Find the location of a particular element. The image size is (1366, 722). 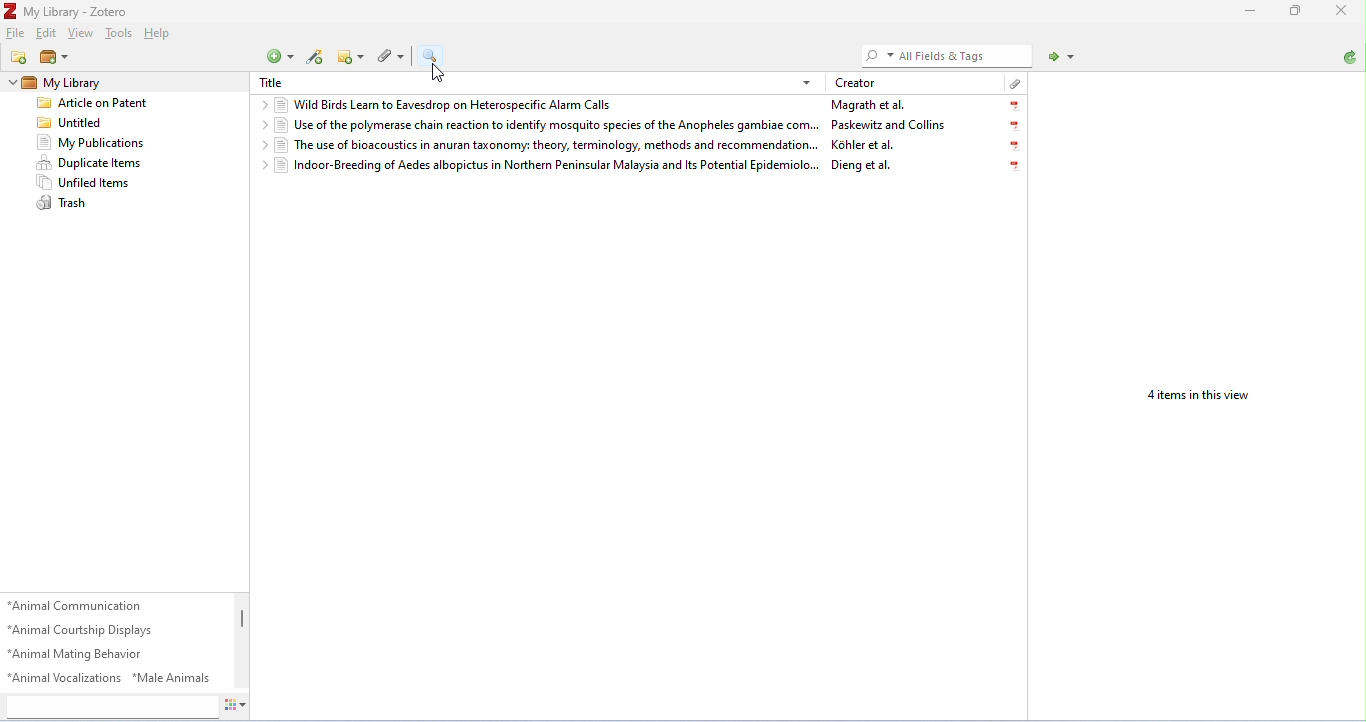

sync with zotero.org is located at coordinates (1351, 58).